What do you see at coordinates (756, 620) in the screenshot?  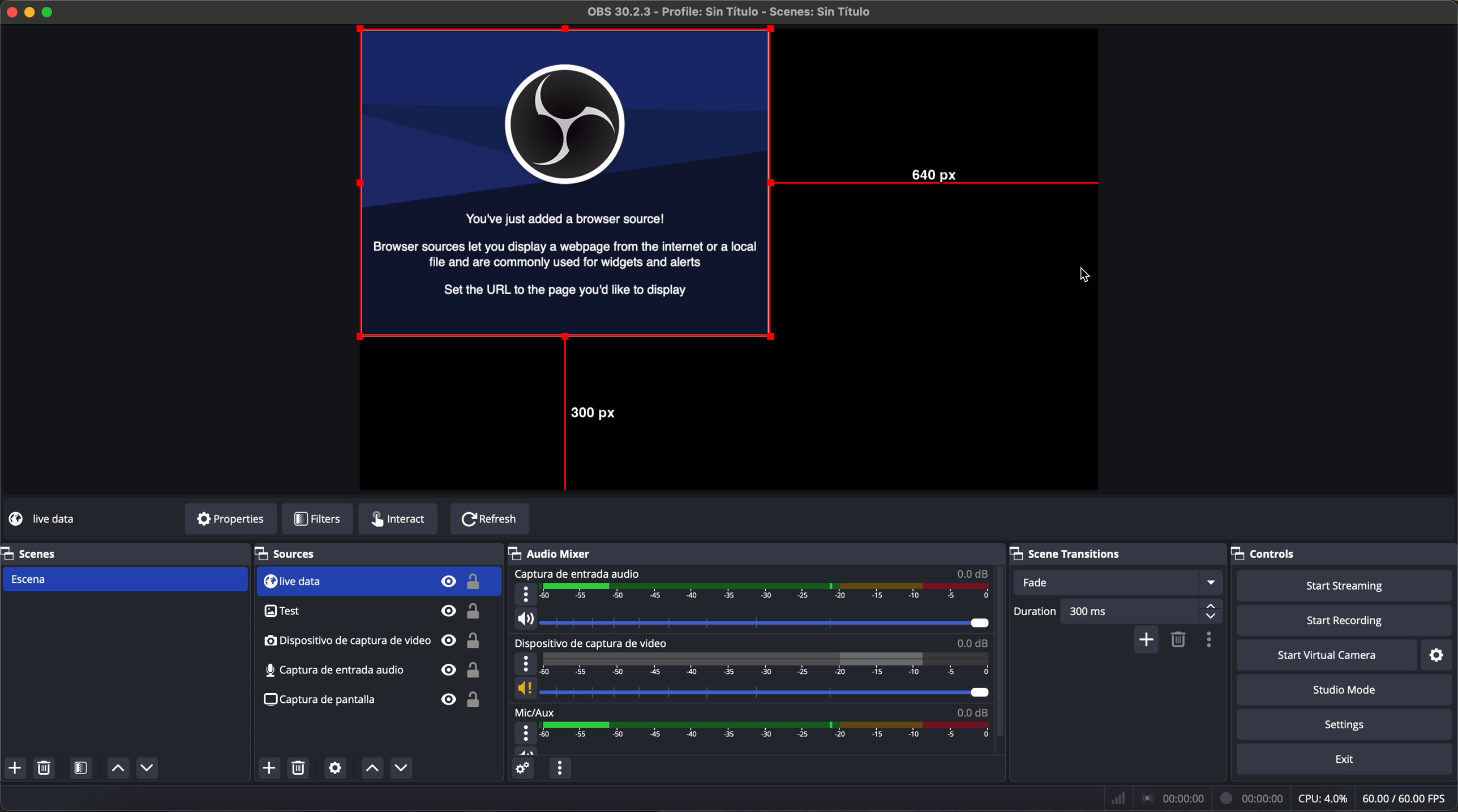 I see `vol` at bounding box center [756, 620].